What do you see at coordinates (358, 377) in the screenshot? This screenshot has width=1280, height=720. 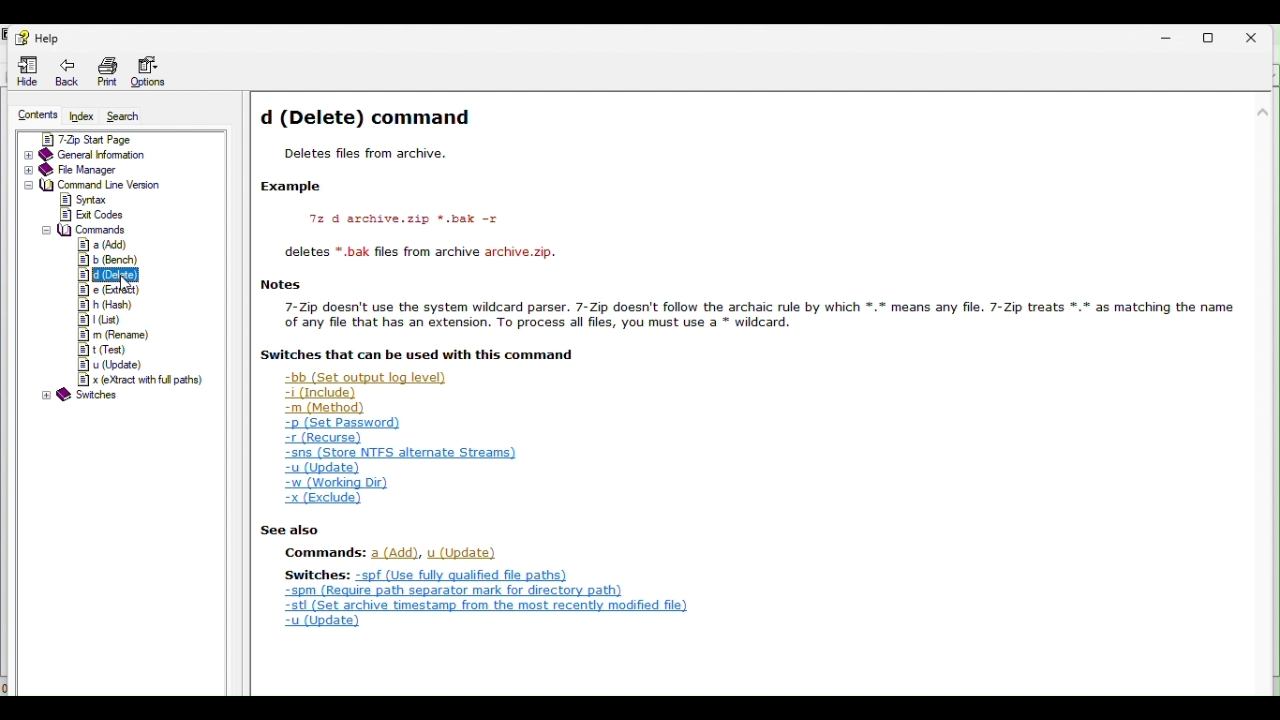 I see `-bb (Set output log level)` at bounding box center [358, 377].